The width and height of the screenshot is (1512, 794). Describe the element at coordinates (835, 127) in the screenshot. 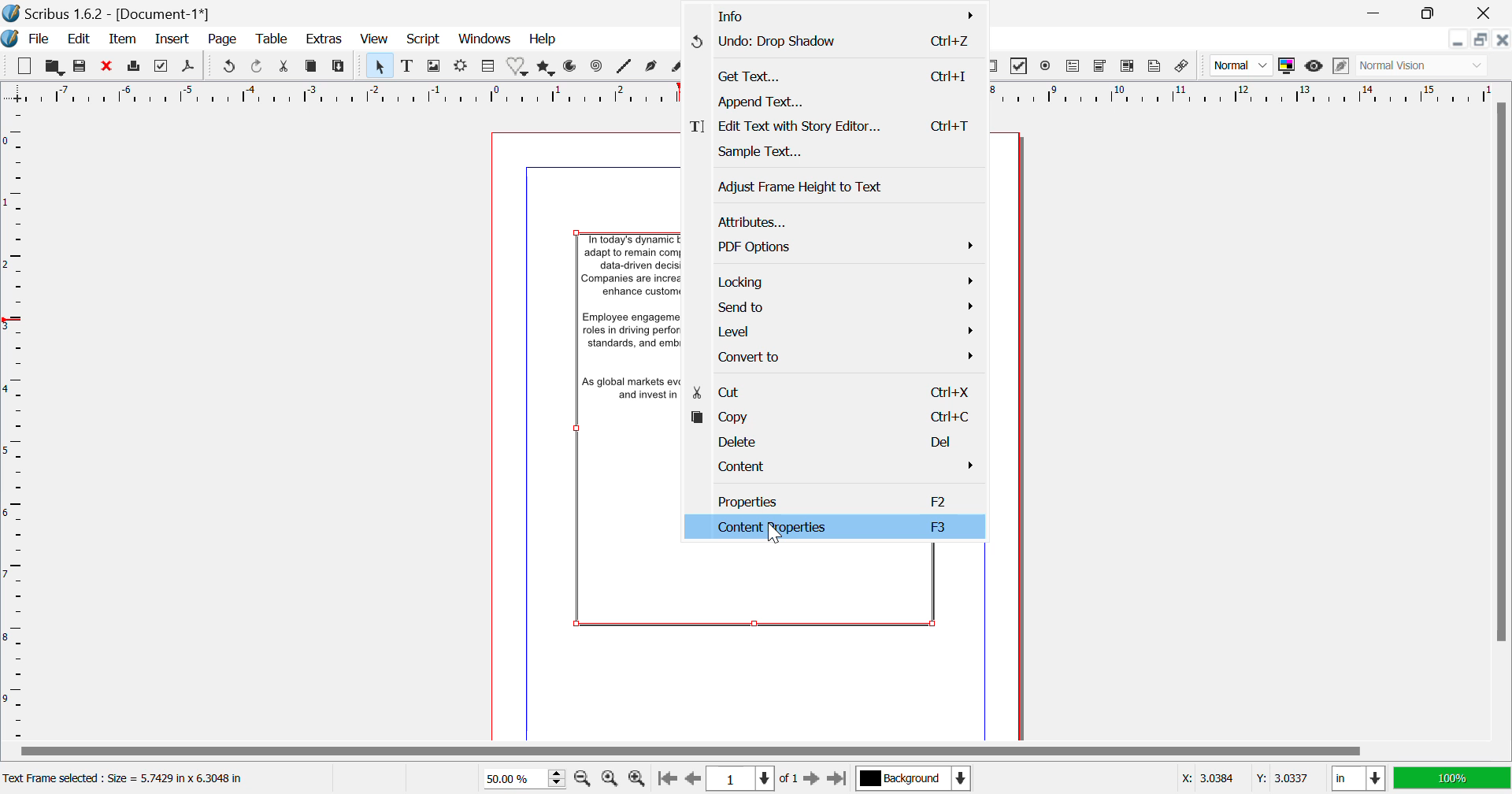

I see `Edit Text on Story Editor` at that location.